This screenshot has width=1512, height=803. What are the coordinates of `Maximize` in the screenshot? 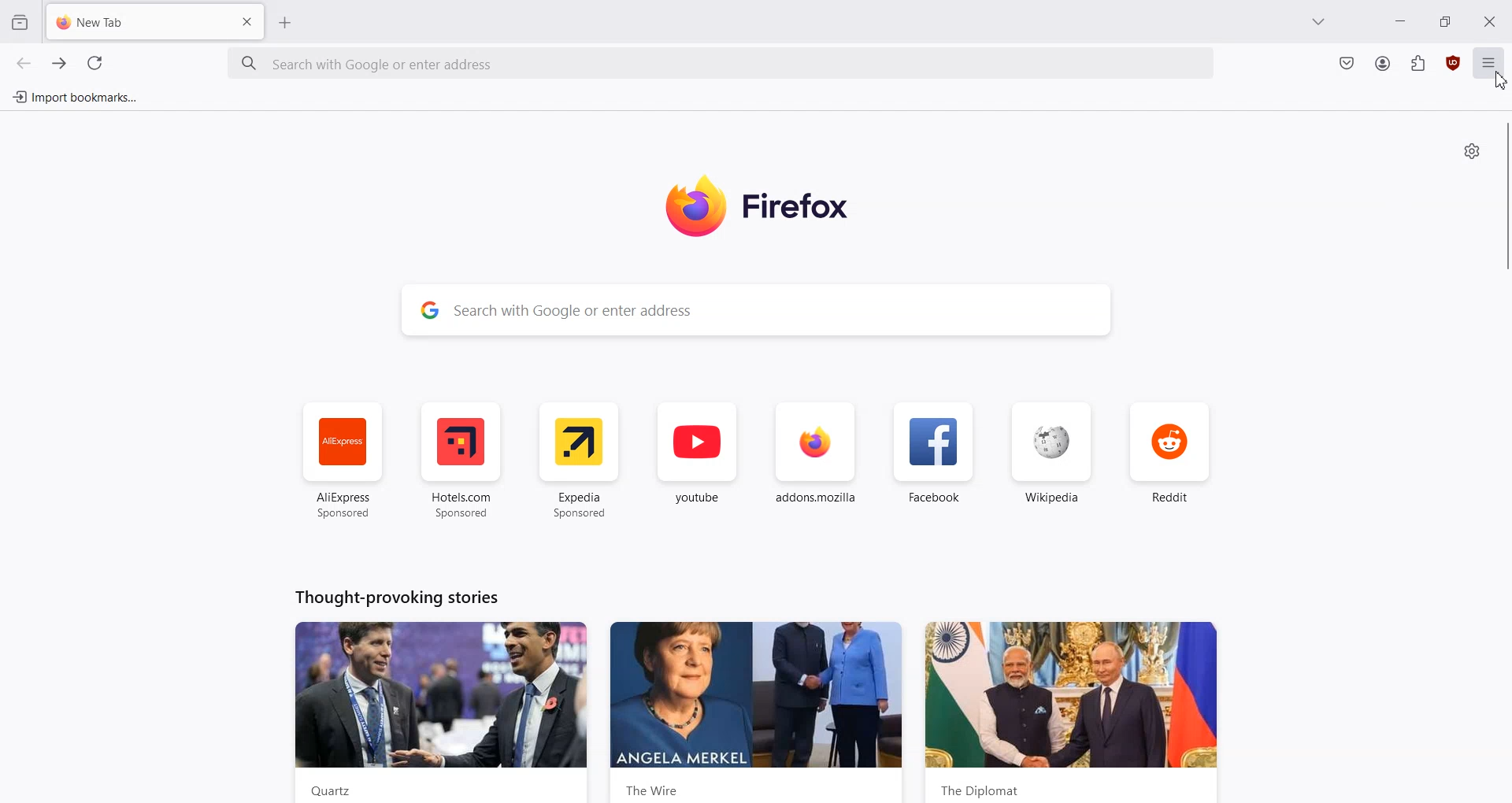 It's located at (1444, 20).